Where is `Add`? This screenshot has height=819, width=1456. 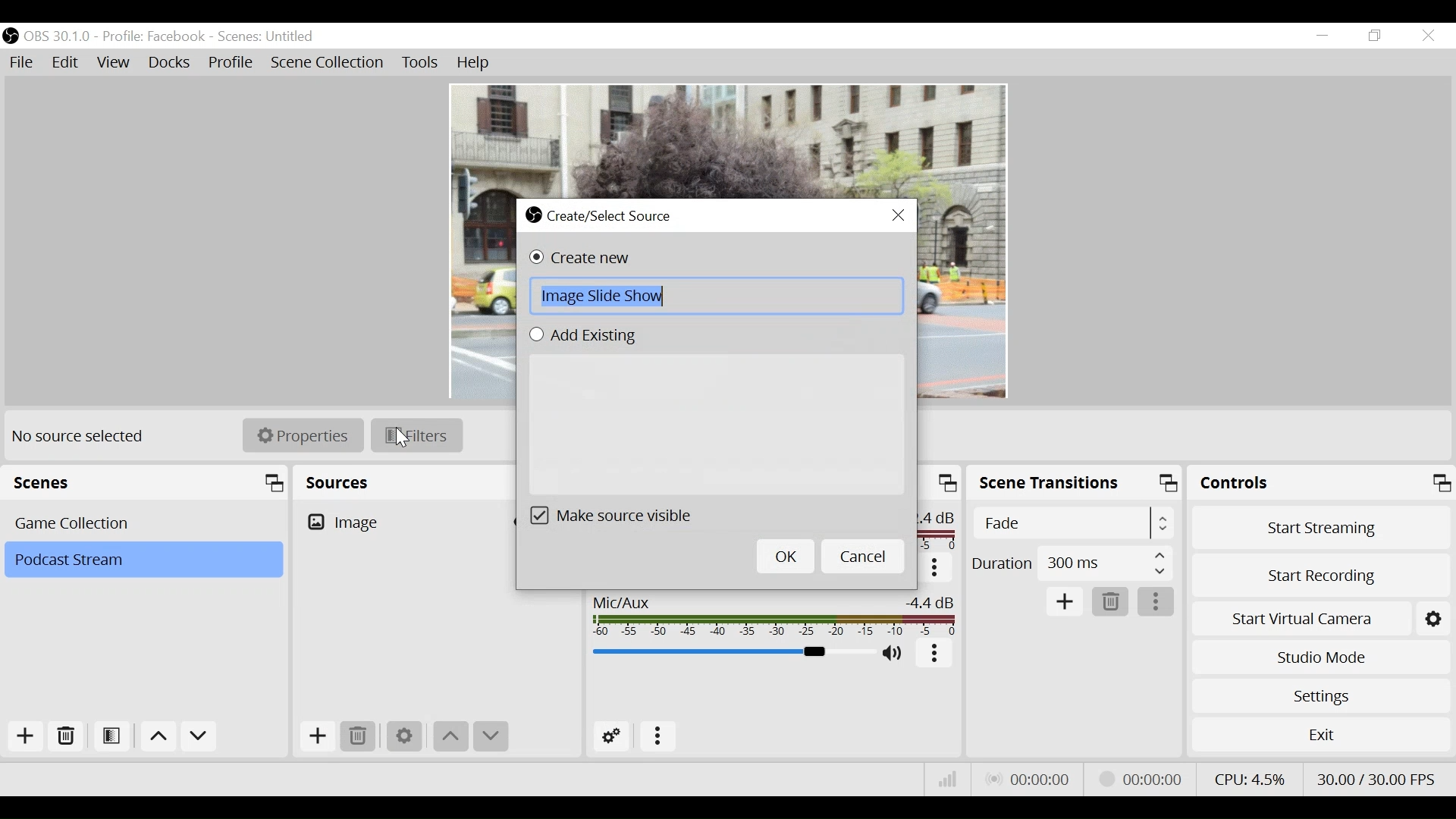 Add is located at coordinates (24, 736).